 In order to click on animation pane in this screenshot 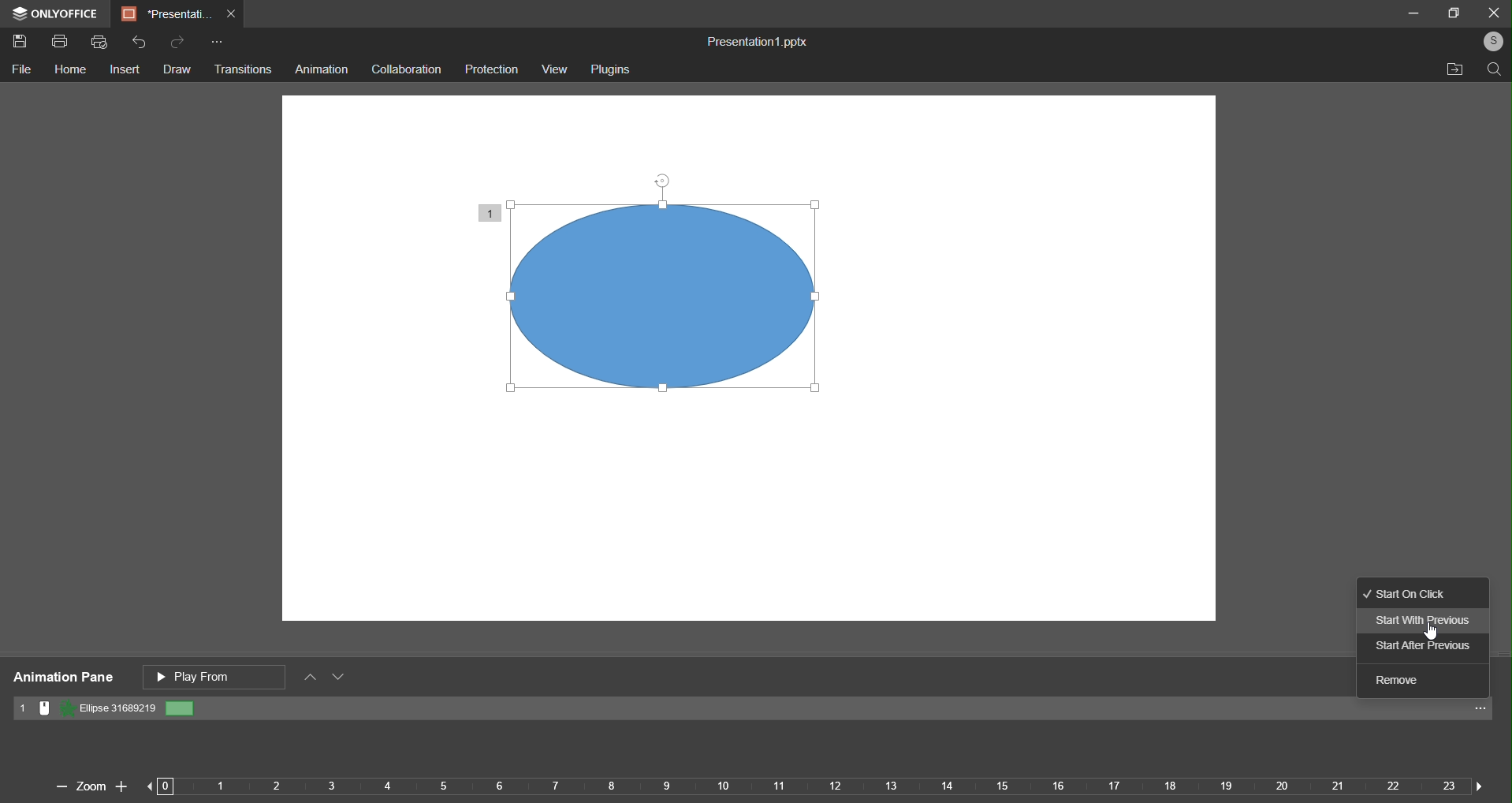, I will do `click(61, 678)`.